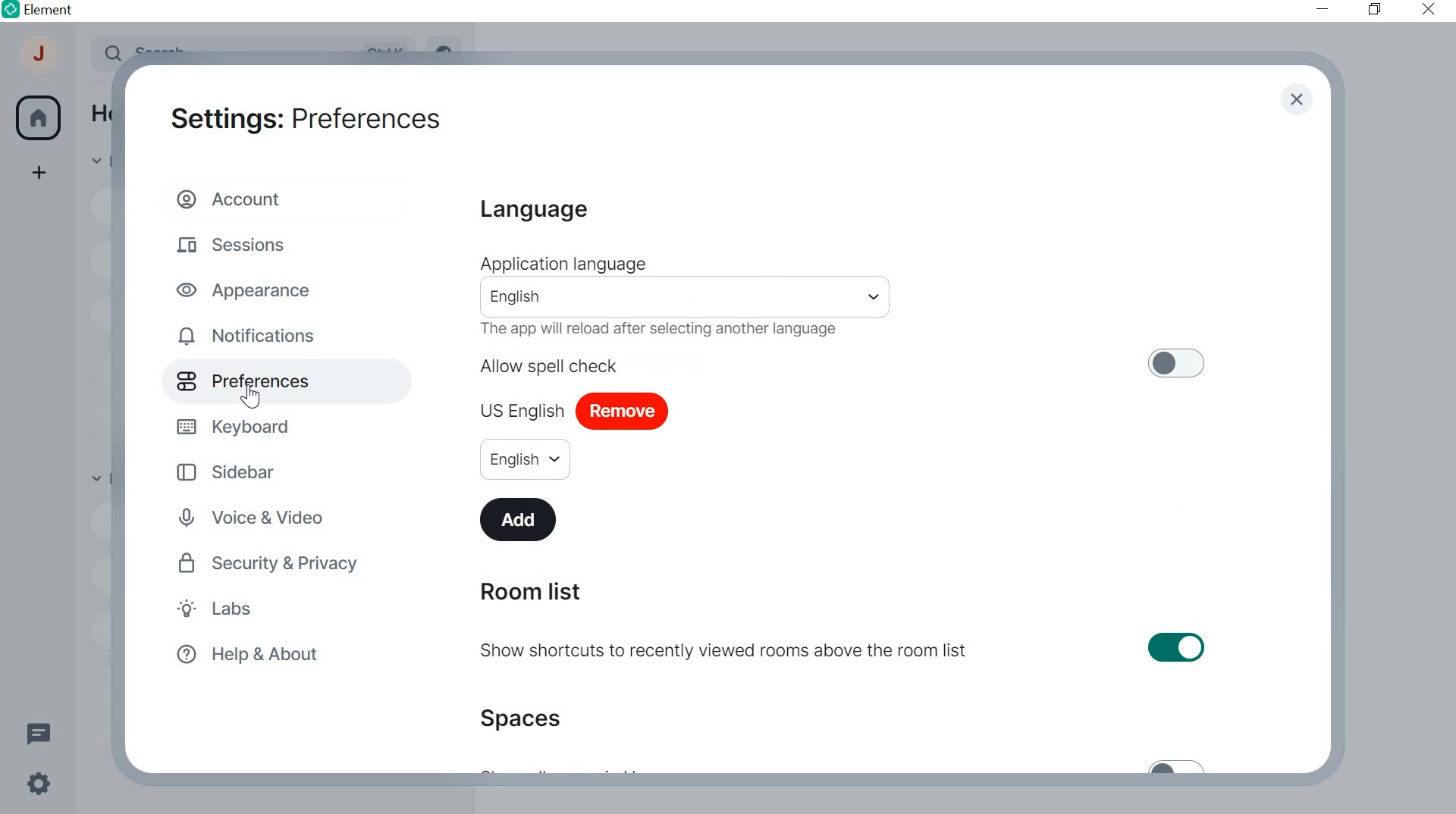 This screenshot has height=814, width=1456. What do you see at coordinates (251, 289) in the screenshot?
I see `APPEARANCE` at bounding box center [251, 289].